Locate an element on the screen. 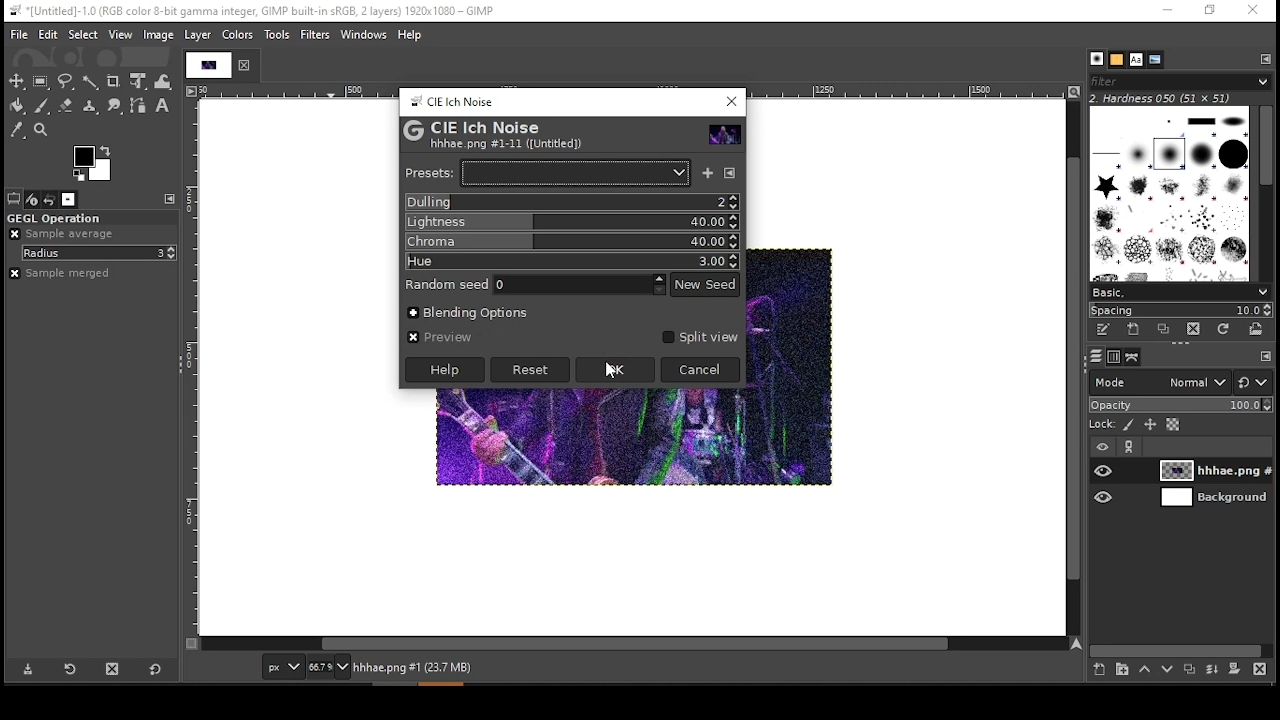 This screenshot has width=1280, height=720. heal tool is located at coordinates (87, 107).